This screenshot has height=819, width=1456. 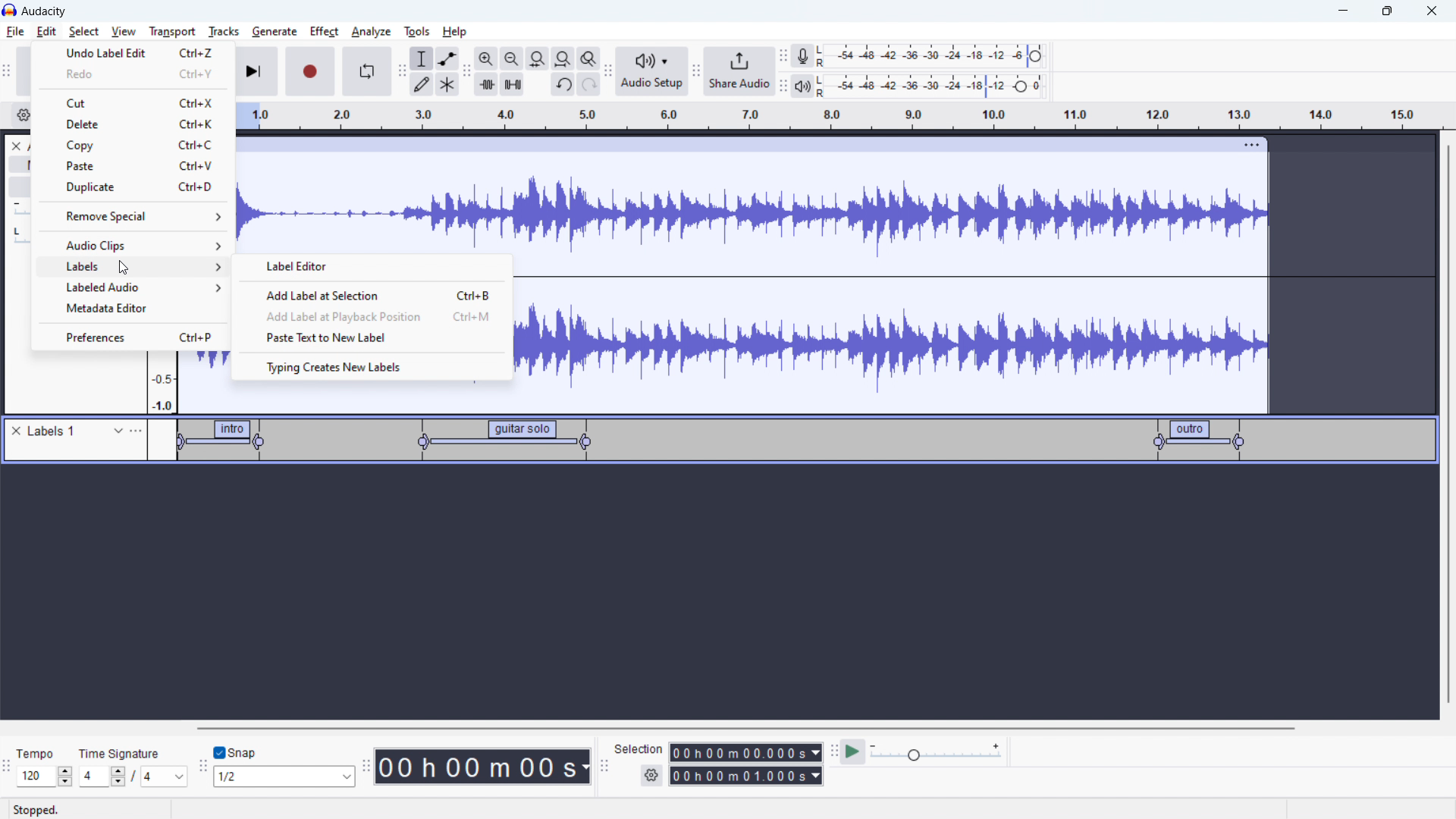 What do you see at coordinates (19, 237) in the screenshot?
I see `pan` at bounding box center [19, 237].